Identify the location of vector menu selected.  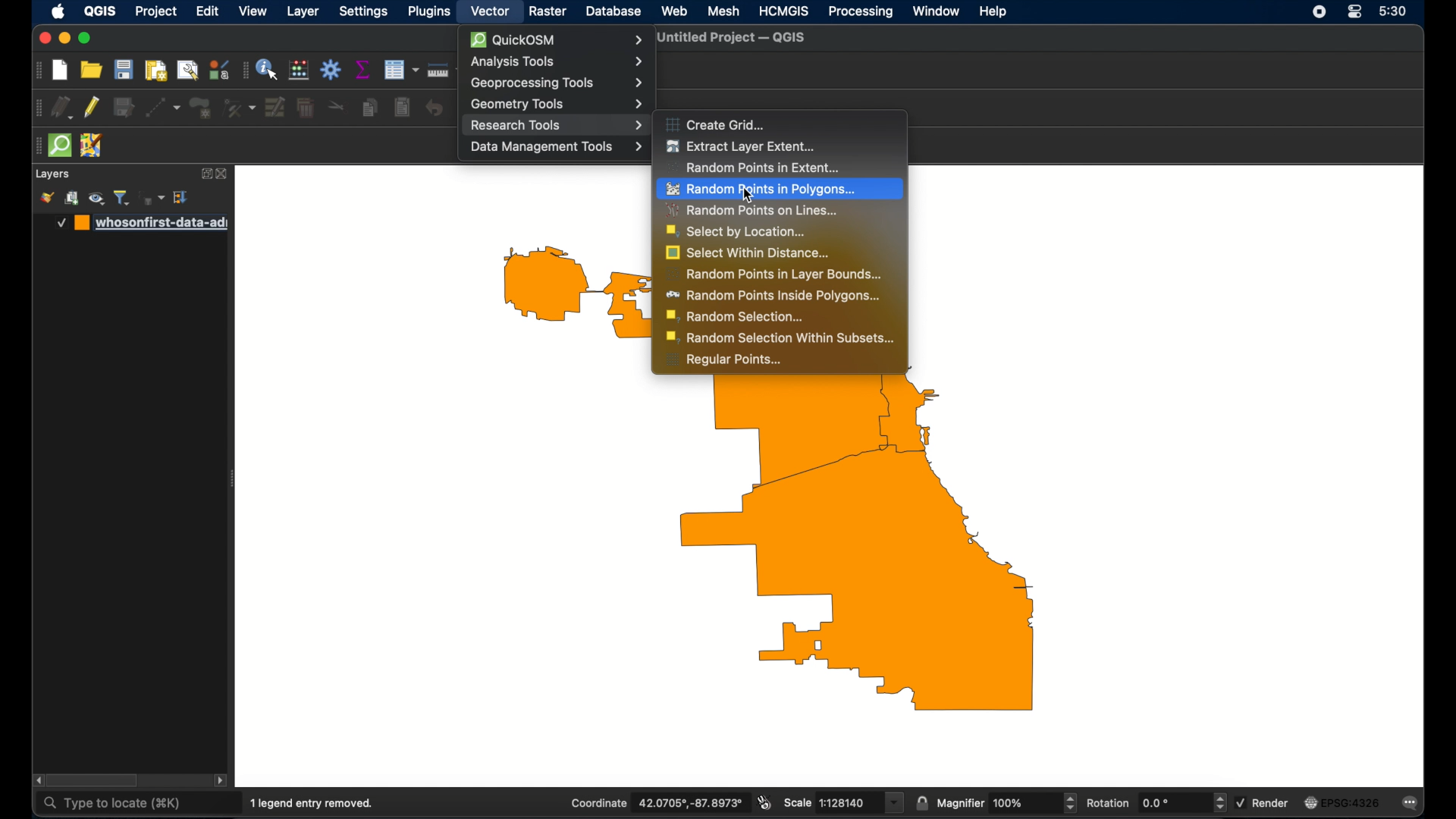
(491, 11).